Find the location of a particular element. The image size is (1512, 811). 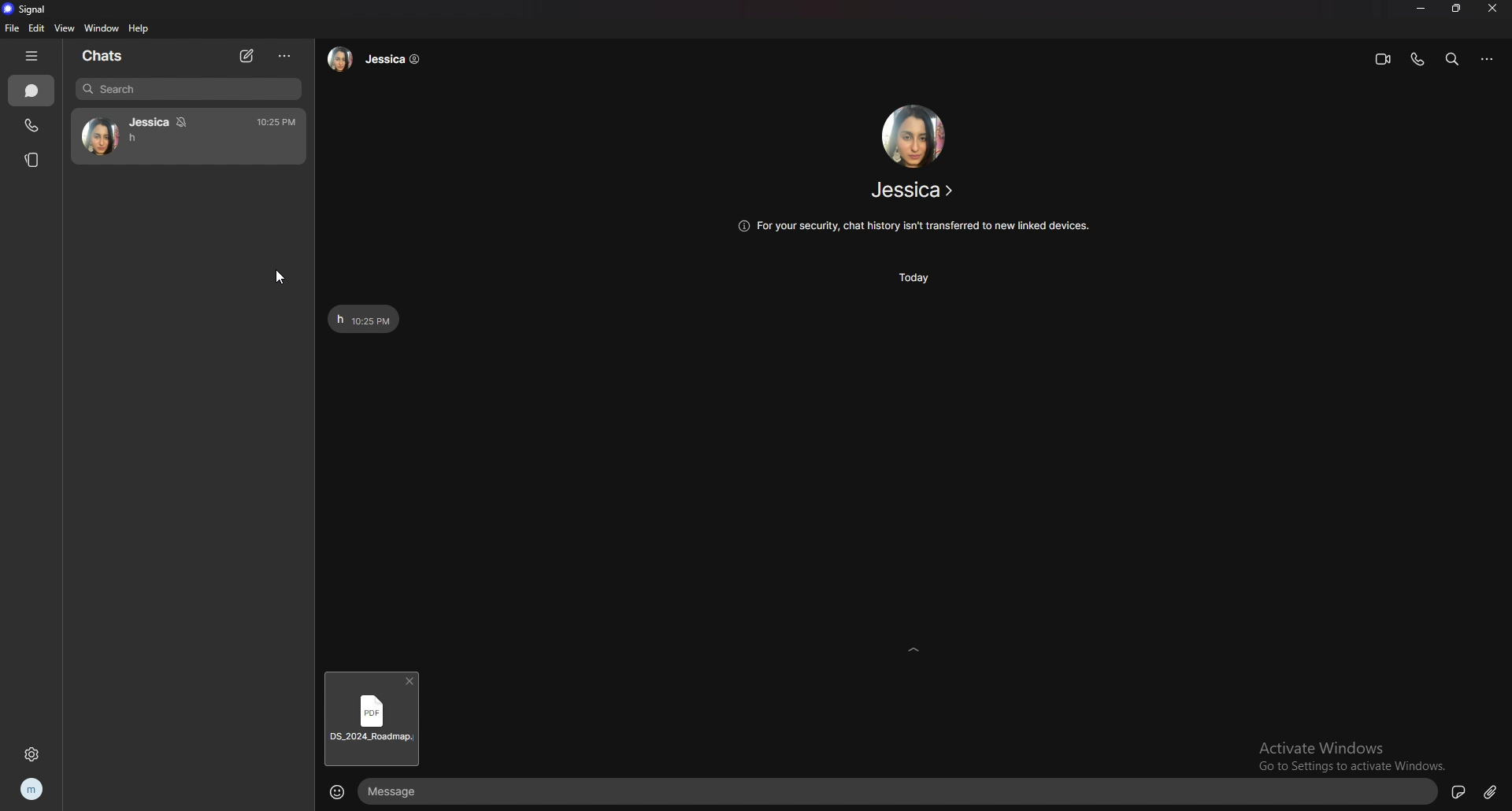

info is located at coordinates (912, 227).